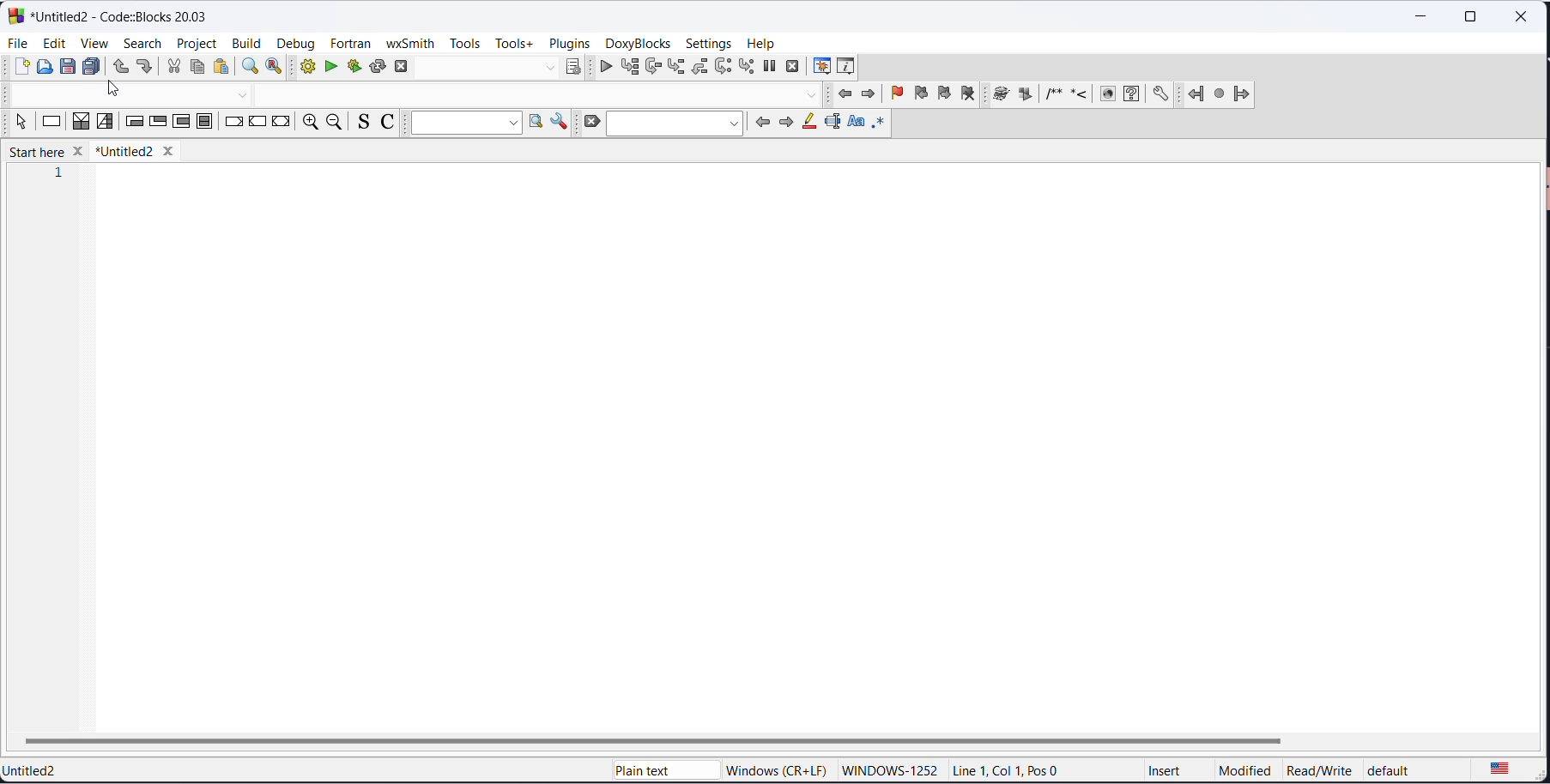  I want to click on go back, so click(845, 94).